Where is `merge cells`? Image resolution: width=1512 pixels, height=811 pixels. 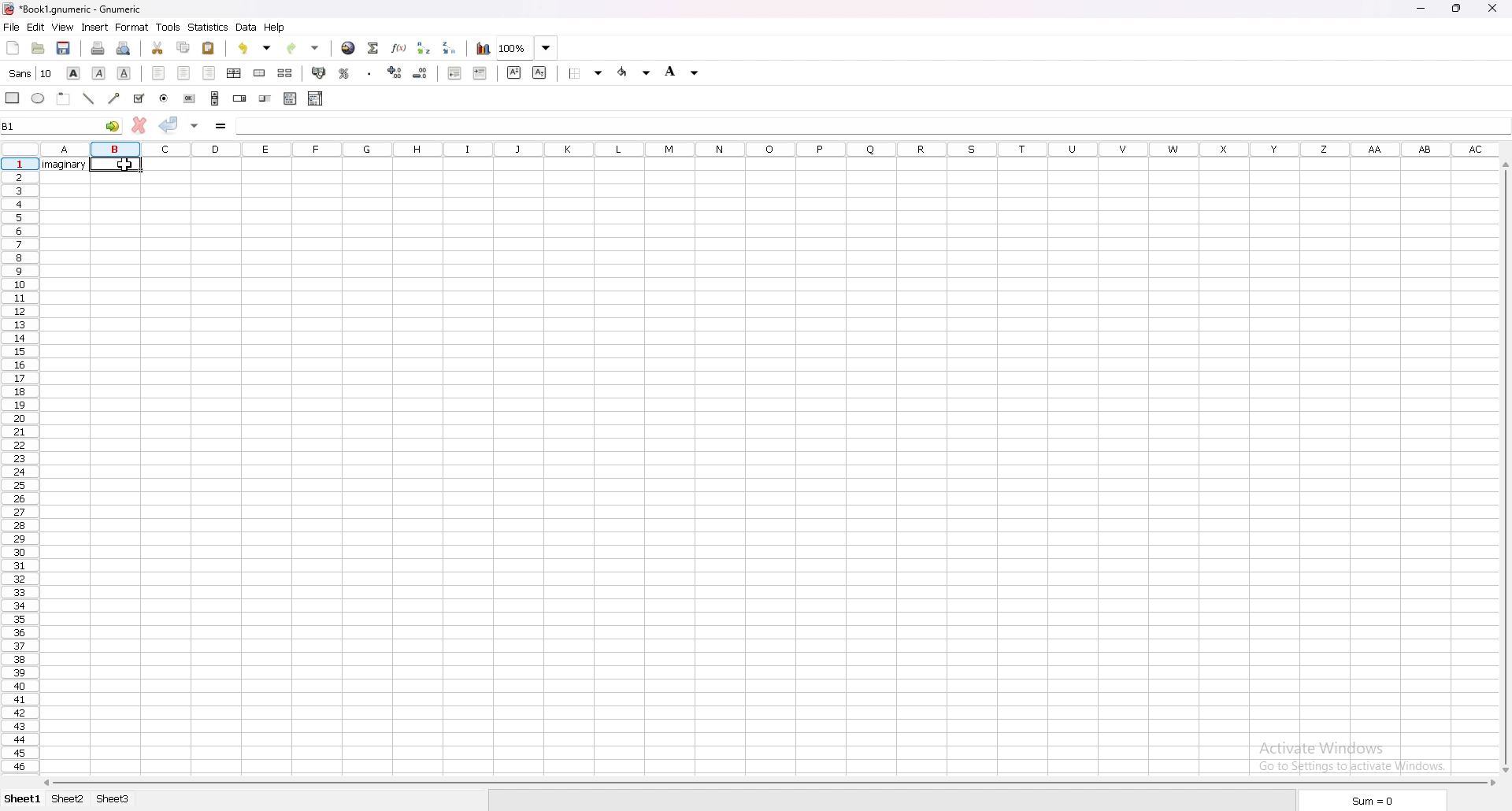 merge cells is located at coordinates (261, 73).